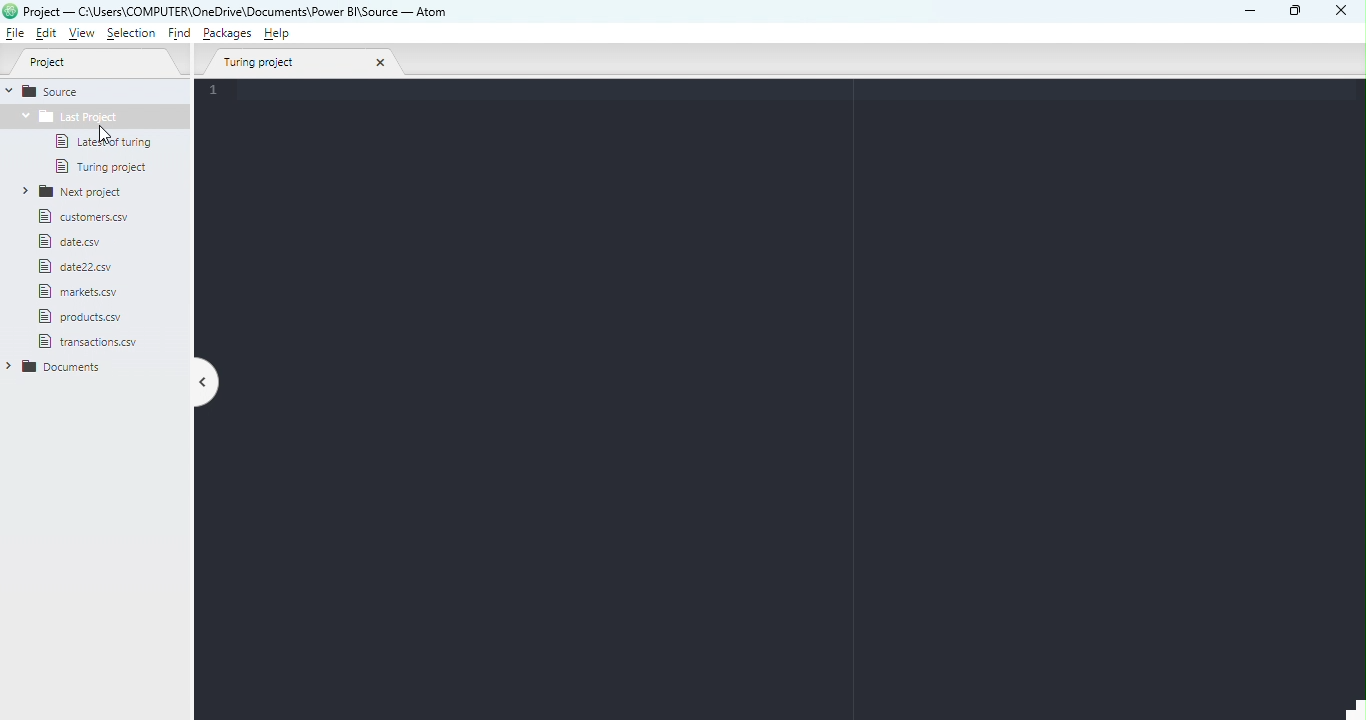  I want to click on View, so click(78, 34).